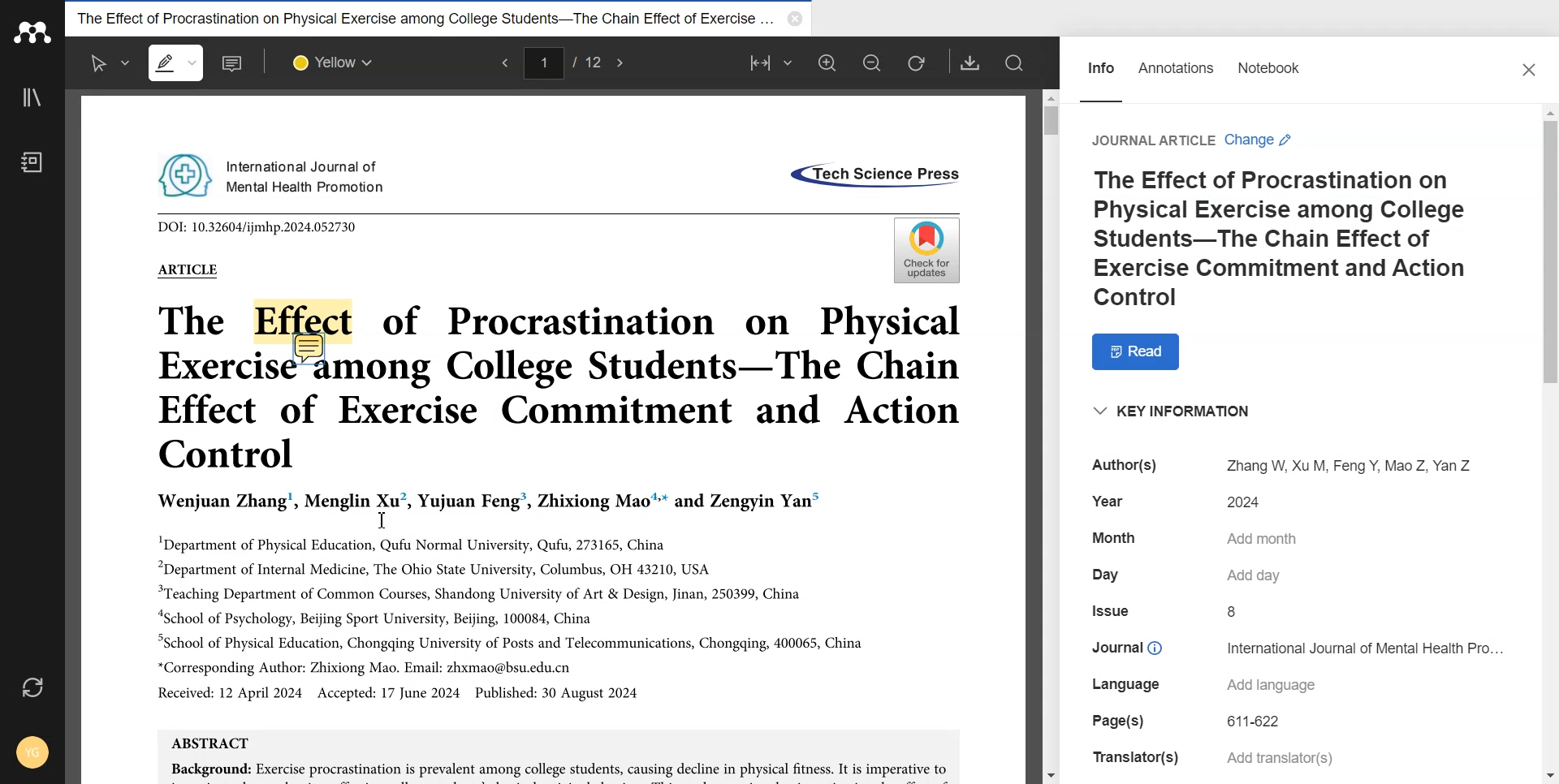 This screenshot has width=1559, height=784. What do you see at coordinates (827, 62) in the screenshot?
I see `Zoom in` at bounding box center [827, 62].